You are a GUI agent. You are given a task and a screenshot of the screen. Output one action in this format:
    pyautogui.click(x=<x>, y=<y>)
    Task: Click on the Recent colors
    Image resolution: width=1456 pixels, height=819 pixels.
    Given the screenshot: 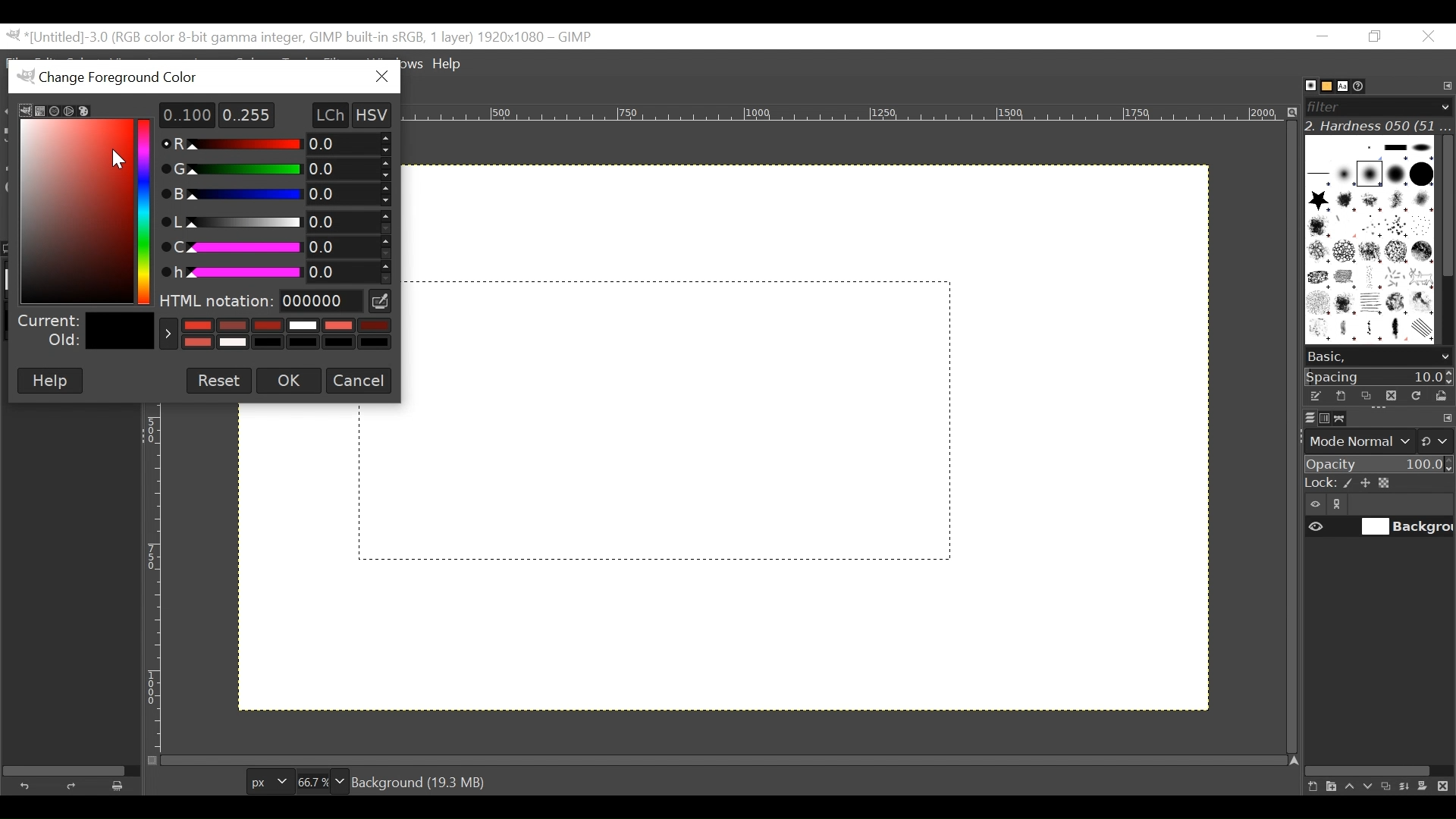 What is the action you would take?
    pyautogui.click(x=275, y=334)
    